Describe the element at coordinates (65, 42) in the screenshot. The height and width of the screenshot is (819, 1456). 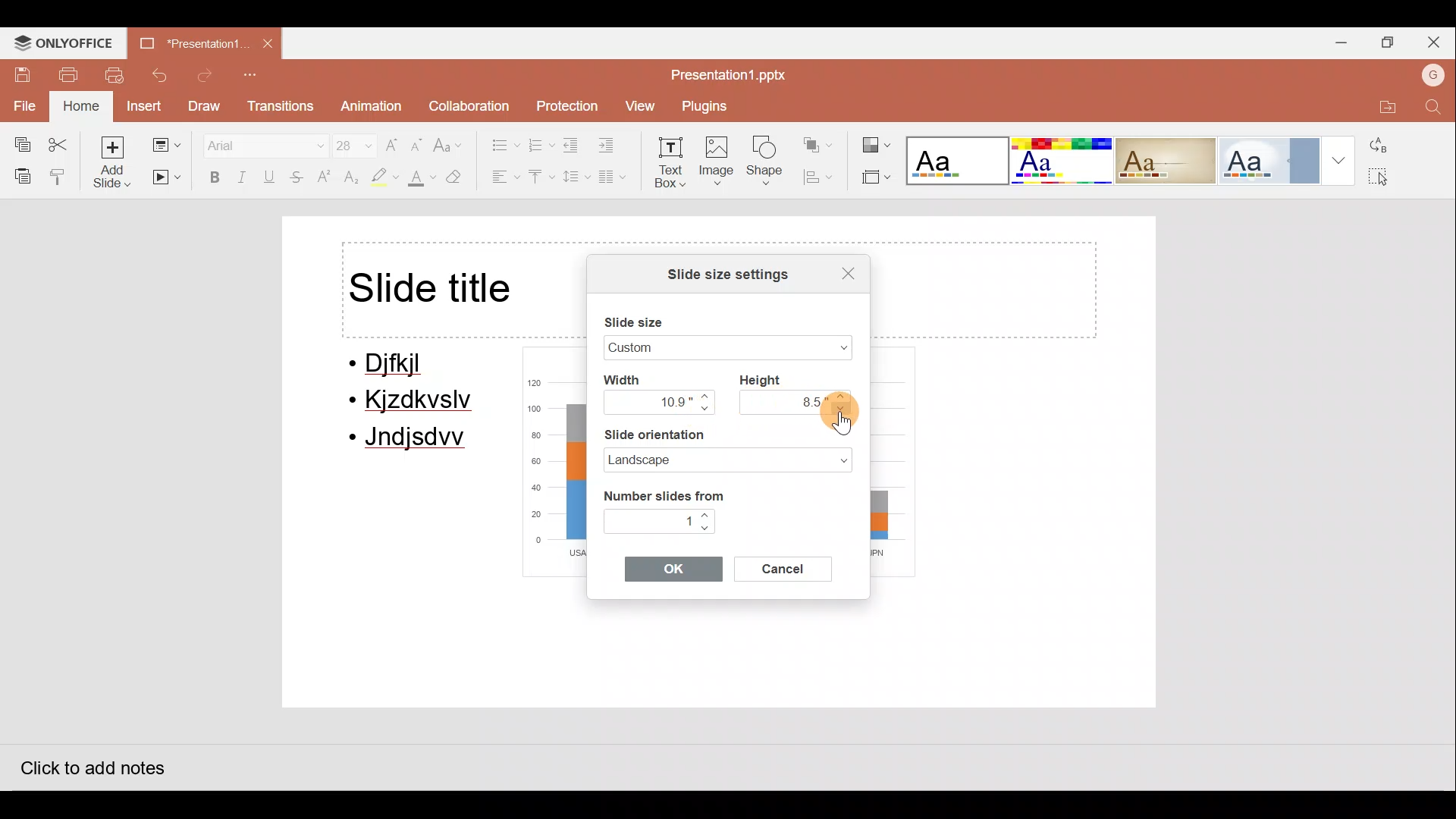
I see `ONLYOFFICE` at that location.